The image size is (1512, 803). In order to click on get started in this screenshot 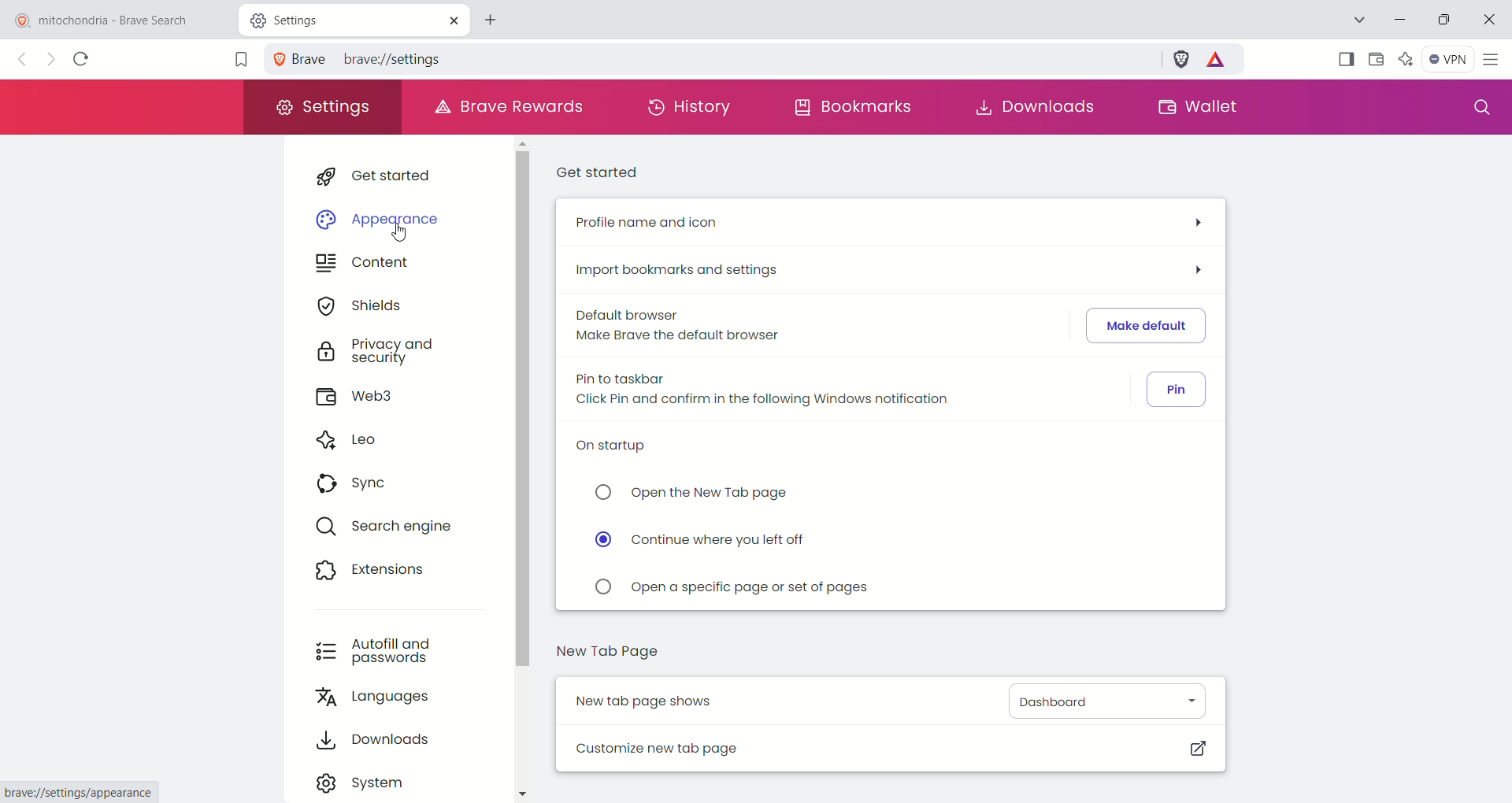, I will do `click(601, 172)`.